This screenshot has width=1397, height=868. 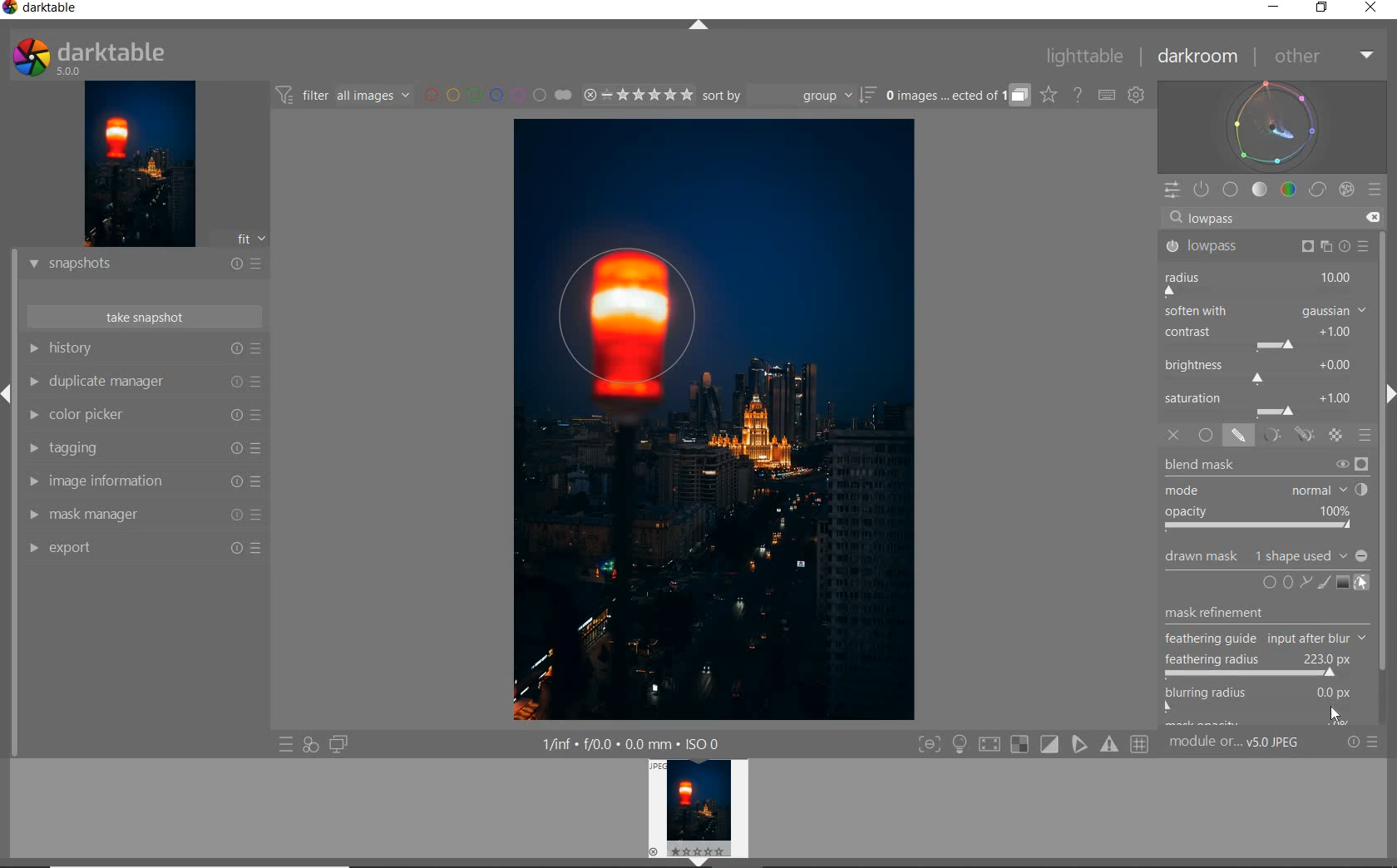 I want to click on HELP ONLINE, so click(x=1077, y=94).